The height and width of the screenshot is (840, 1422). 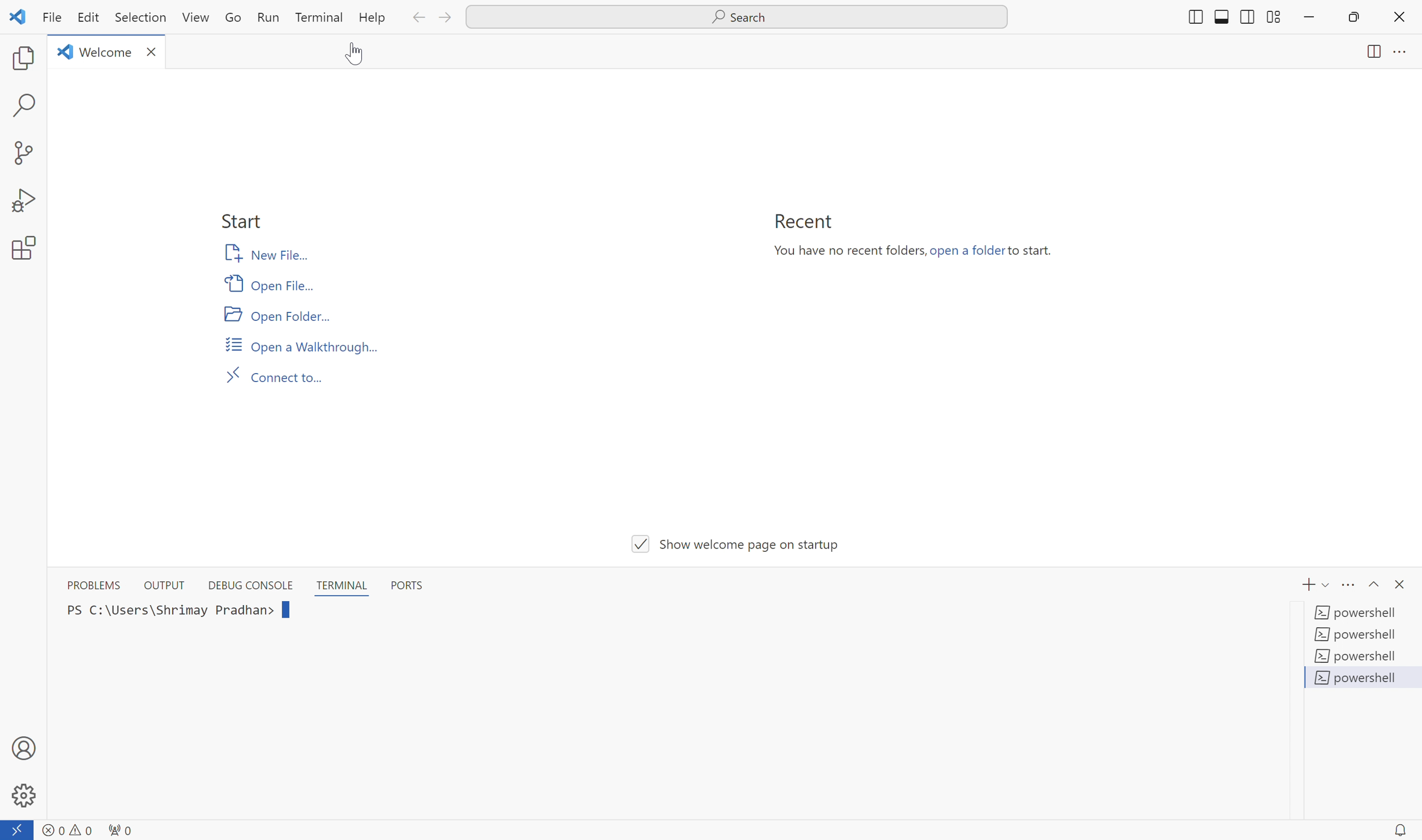 I want to click on cursor, so click(x=357, y=52).